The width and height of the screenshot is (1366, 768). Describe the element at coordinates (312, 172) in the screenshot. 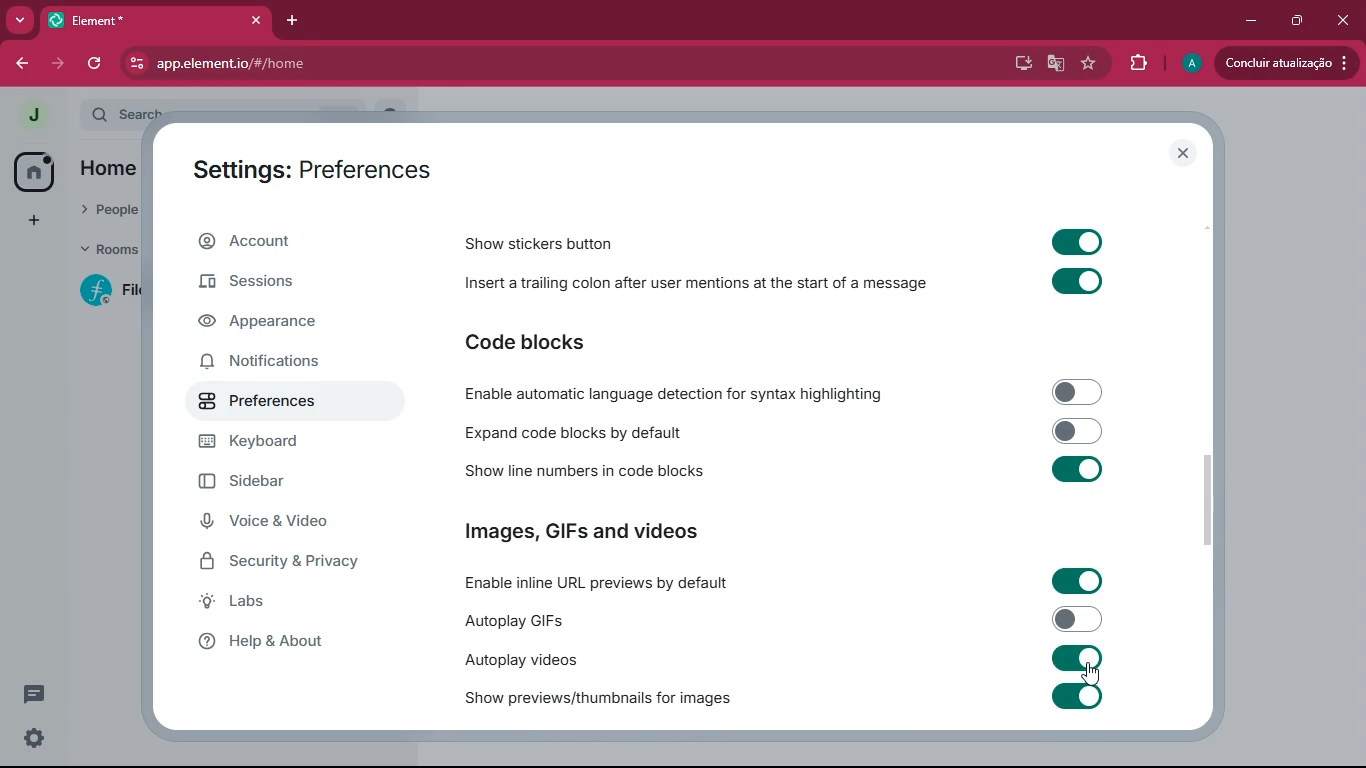

I see `Settings: Preferences` at that location.